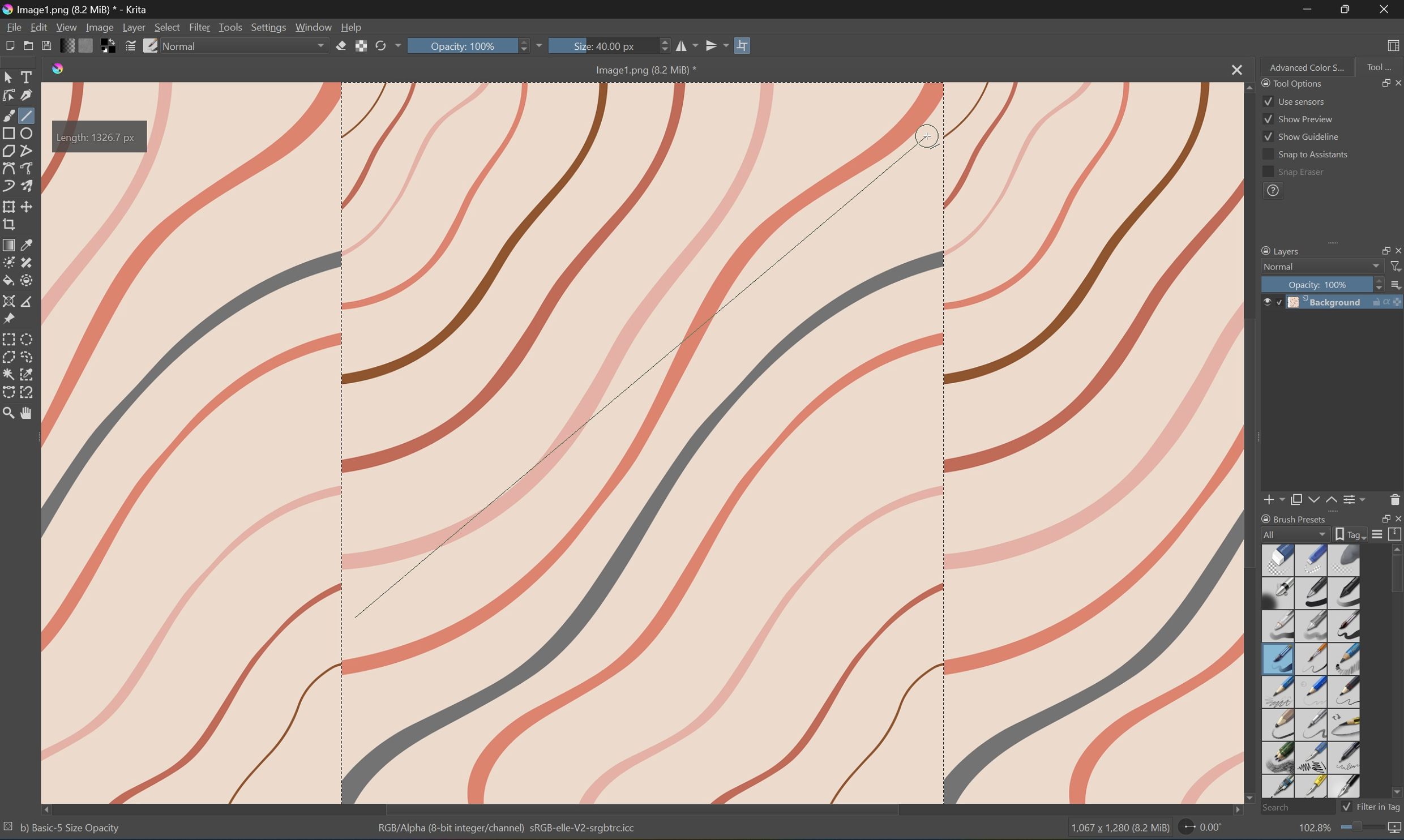  What do you see at coordinates (11, 151) in the screenshot?
I see `Polygon tool` at bounding box center [11, 151].